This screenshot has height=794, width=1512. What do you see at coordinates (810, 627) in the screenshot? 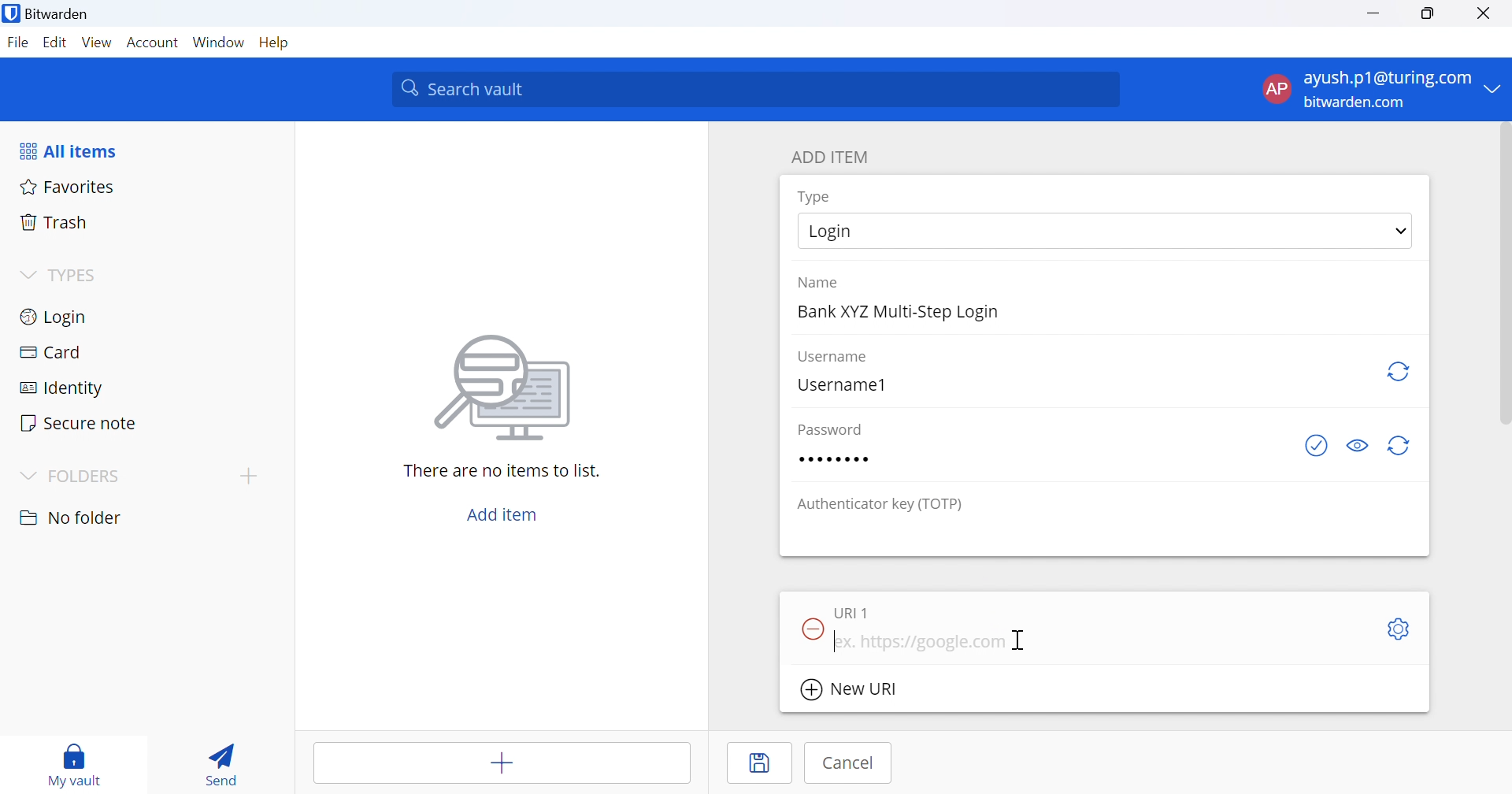
I see `Remove` at bounding box center [810, 627].